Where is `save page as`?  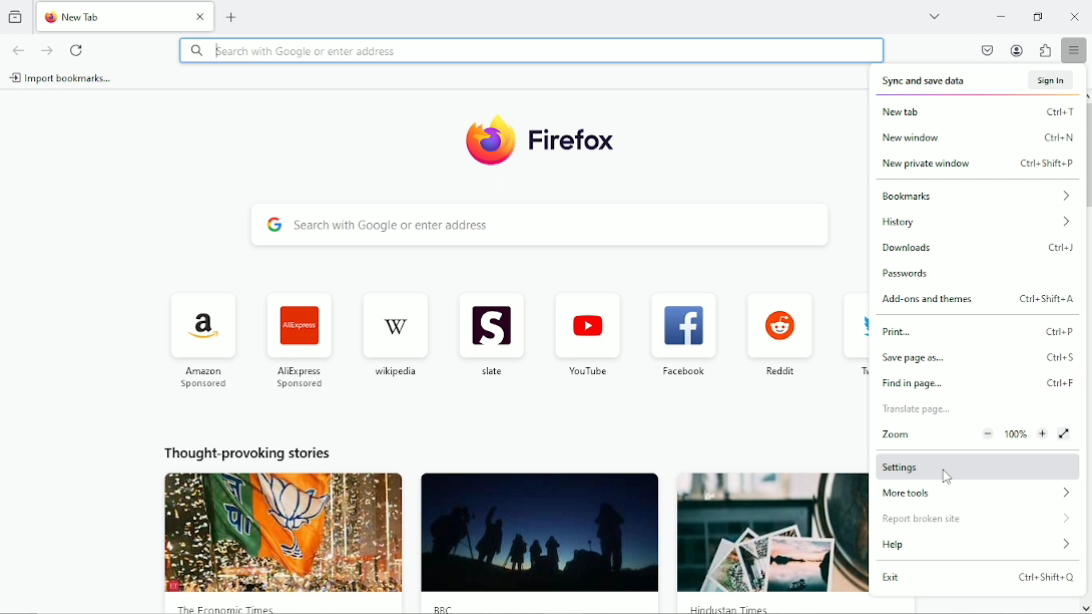 save page as is located at coordinates (980, 360).